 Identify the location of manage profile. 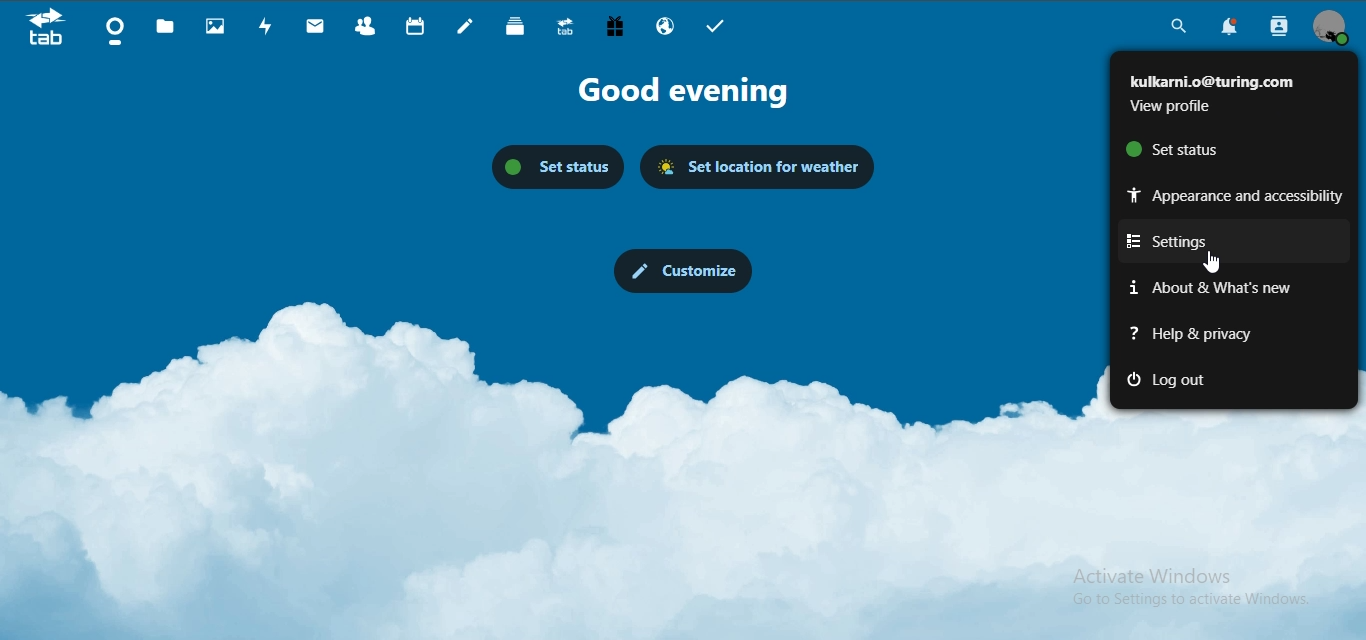
(1332, 28).